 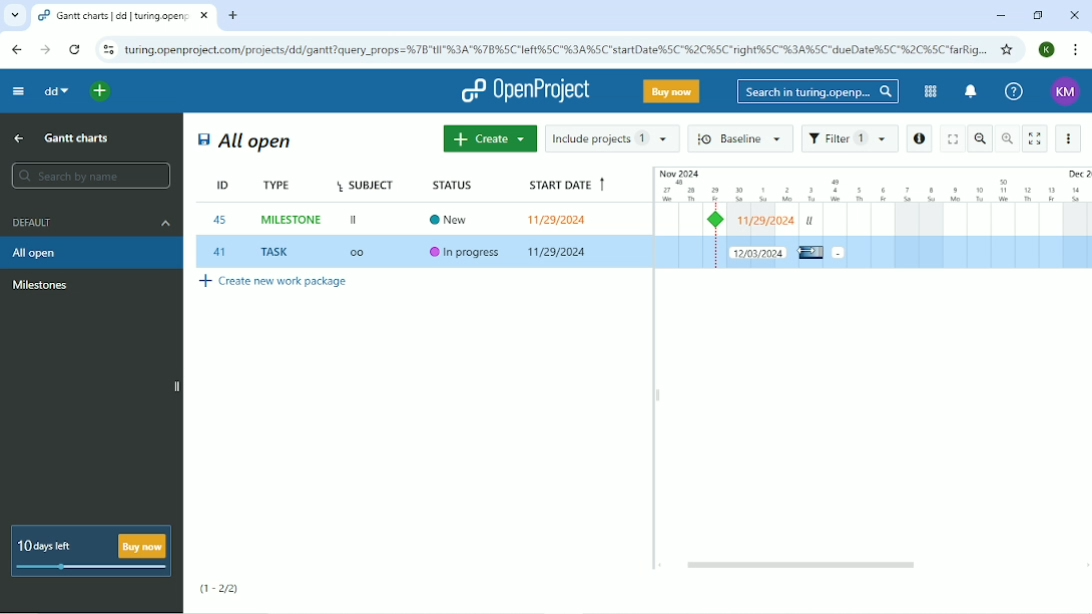 I want to click on Open quick add menu, so click(x=103, y=92).